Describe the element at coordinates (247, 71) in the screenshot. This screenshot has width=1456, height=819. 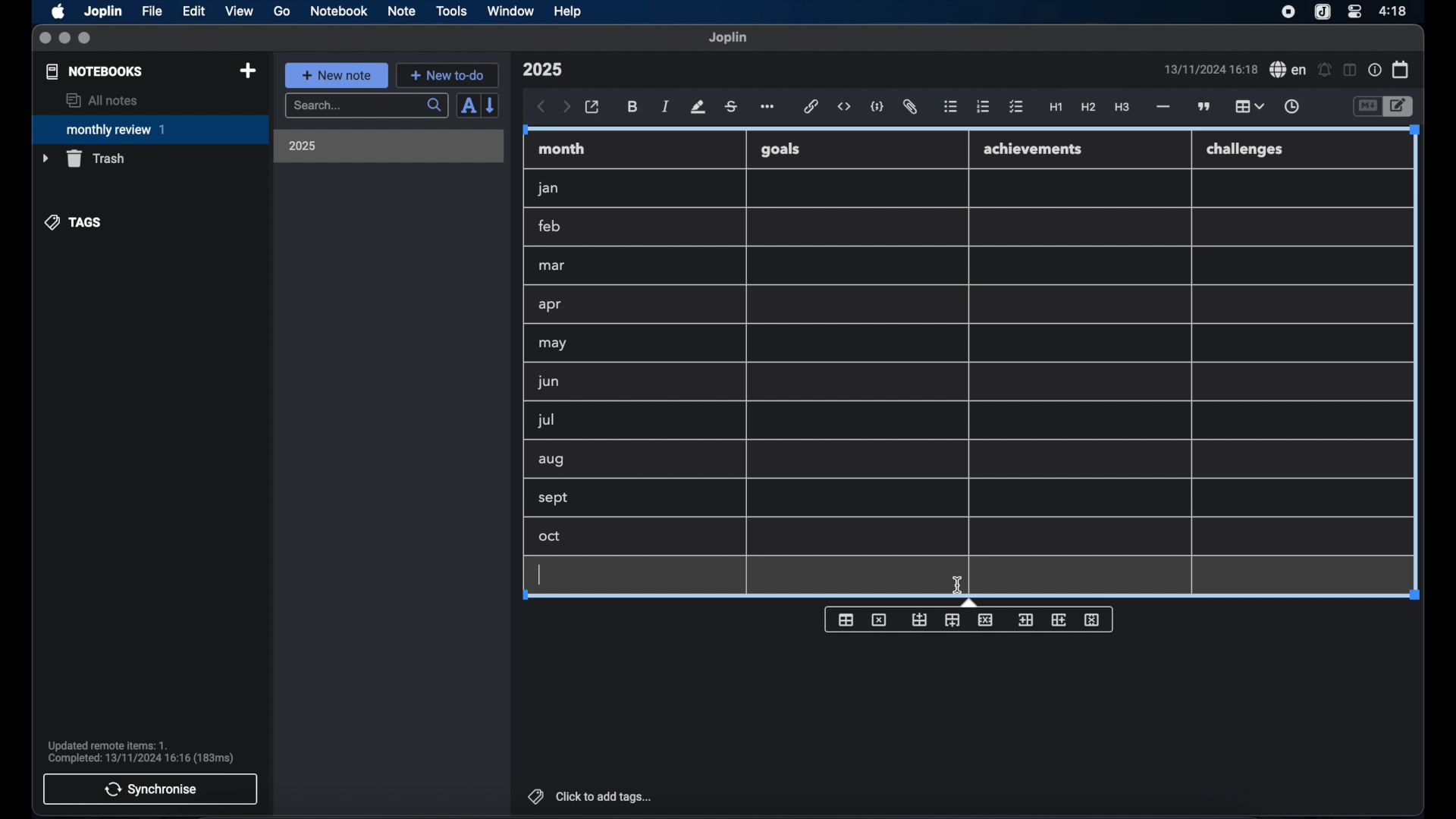
I see `new notebook` at that location.